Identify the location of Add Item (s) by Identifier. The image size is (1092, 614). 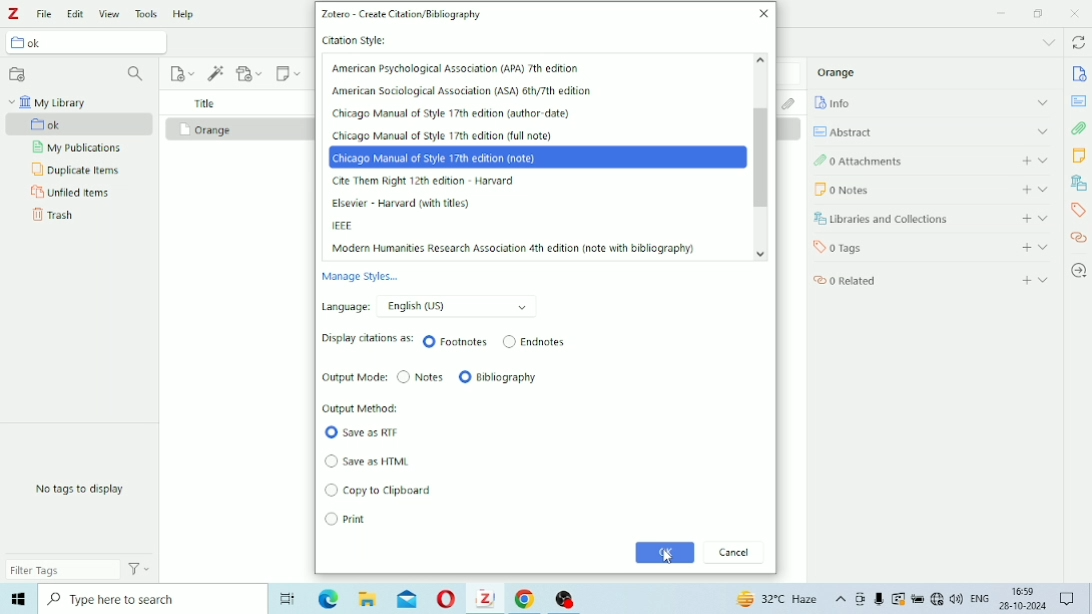
(217, 73).